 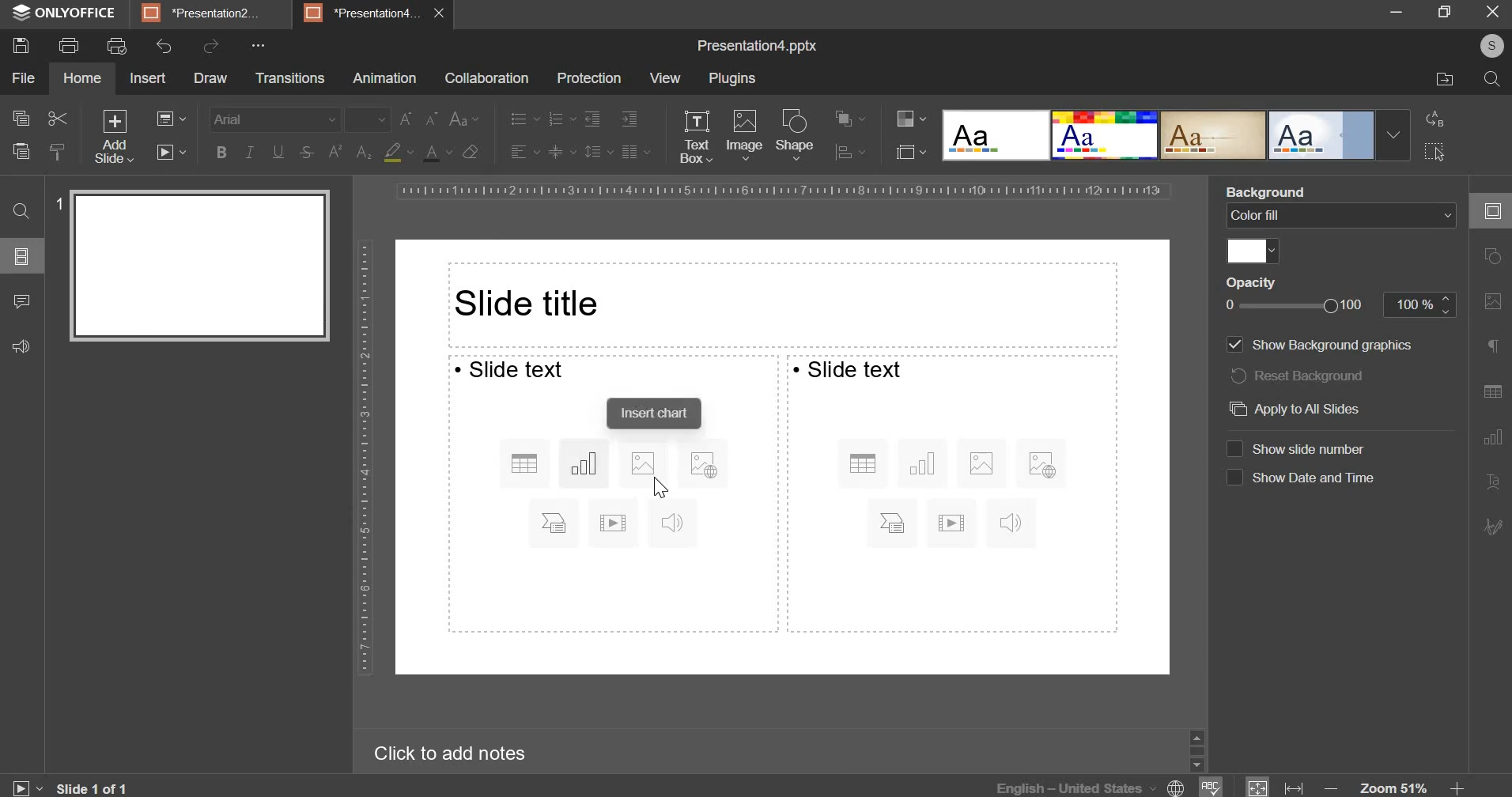 I want to click on signature, so click(x=1495, y=526).